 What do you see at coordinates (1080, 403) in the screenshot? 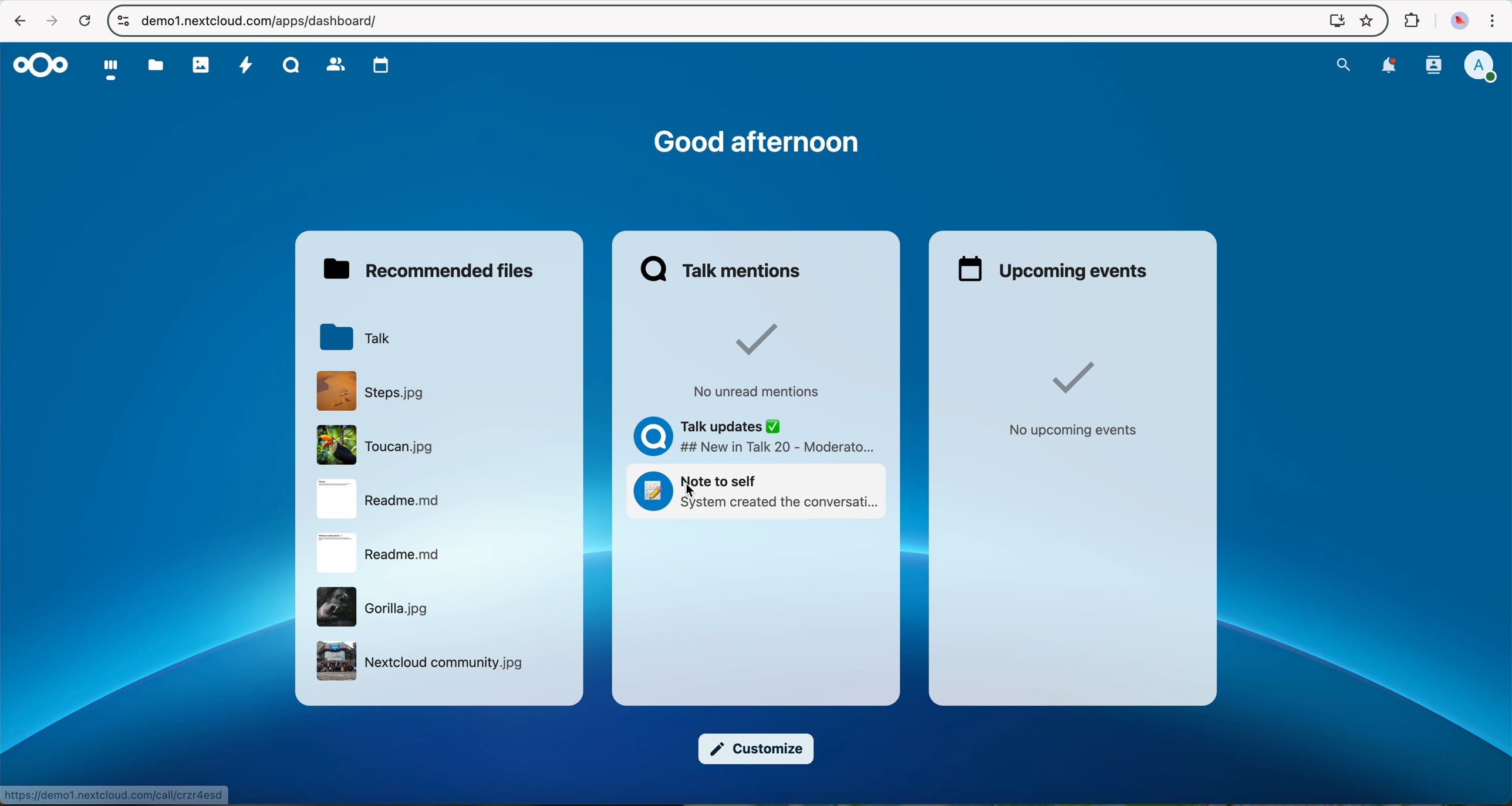
I see `no upcoming events` at bounding box center [1080, 403].